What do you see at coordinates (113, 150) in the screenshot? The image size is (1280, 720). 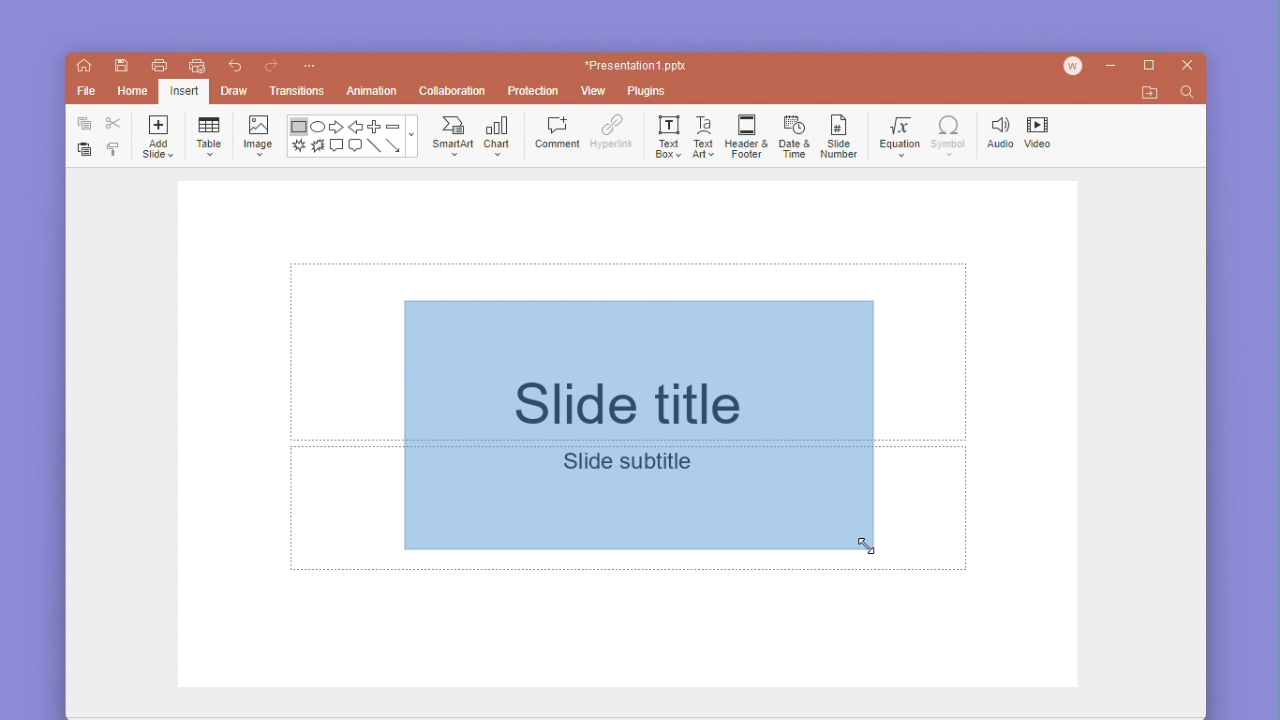 I see `format painter` at bounding box center [113, 150].